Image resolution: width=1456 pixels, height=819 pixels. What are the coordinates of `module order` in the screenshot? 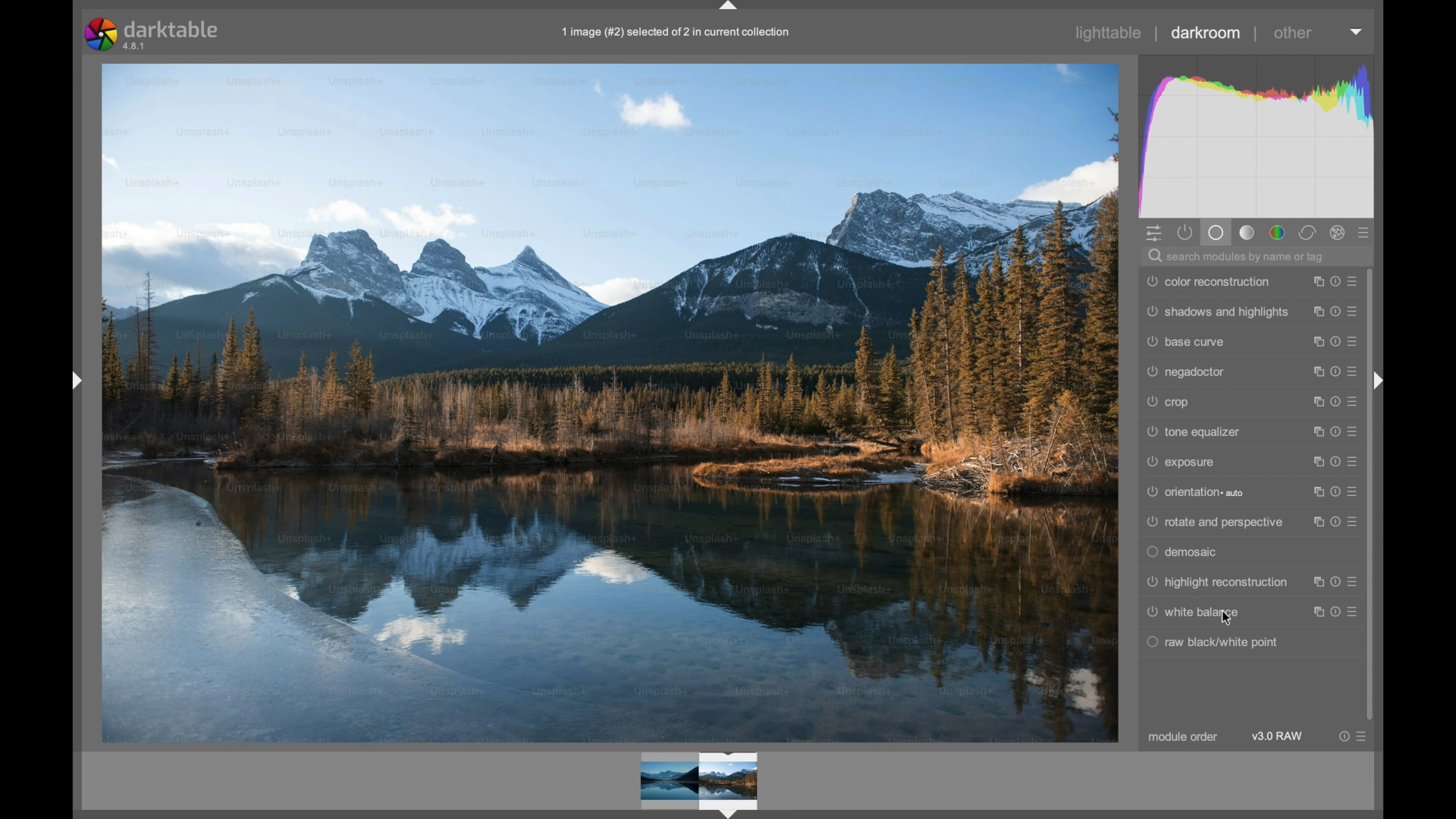 It's located at (1184, 738).